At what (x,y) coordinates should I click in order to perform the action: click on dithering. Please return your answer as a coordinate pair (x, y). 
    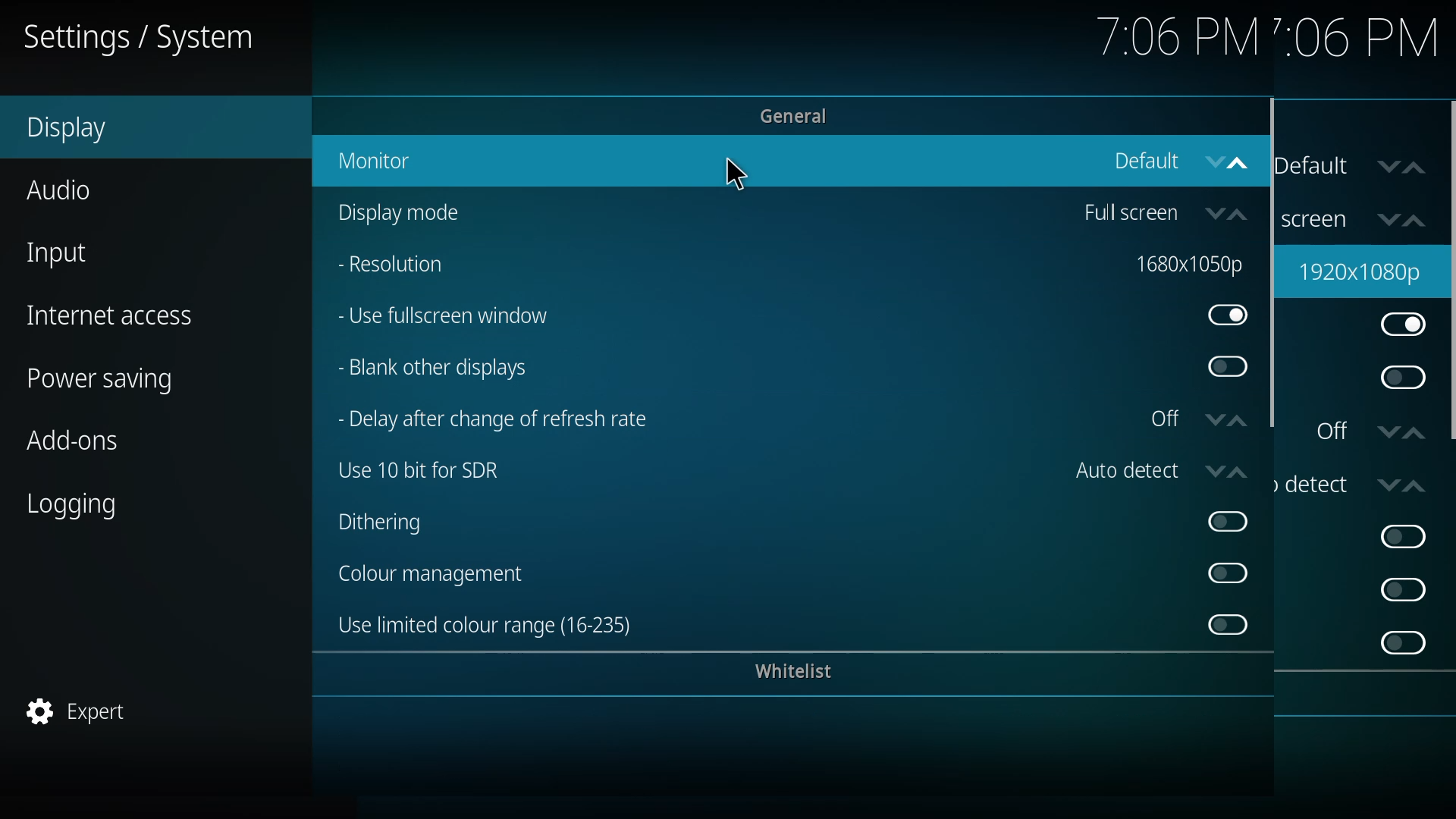
    Looking at the image, I should click on (394, 518).